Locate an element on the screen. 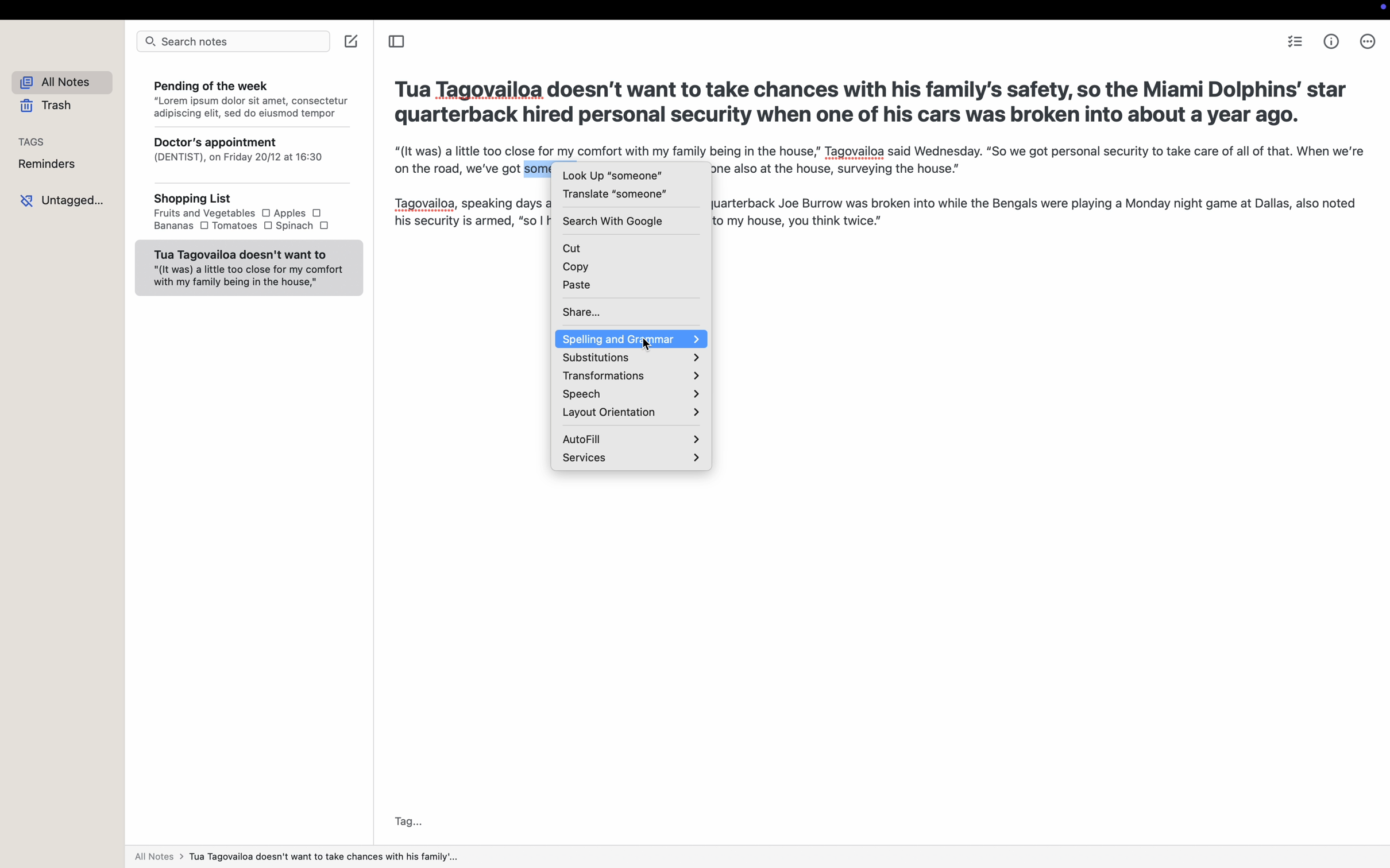  tags is located at coordinates (33, 141).